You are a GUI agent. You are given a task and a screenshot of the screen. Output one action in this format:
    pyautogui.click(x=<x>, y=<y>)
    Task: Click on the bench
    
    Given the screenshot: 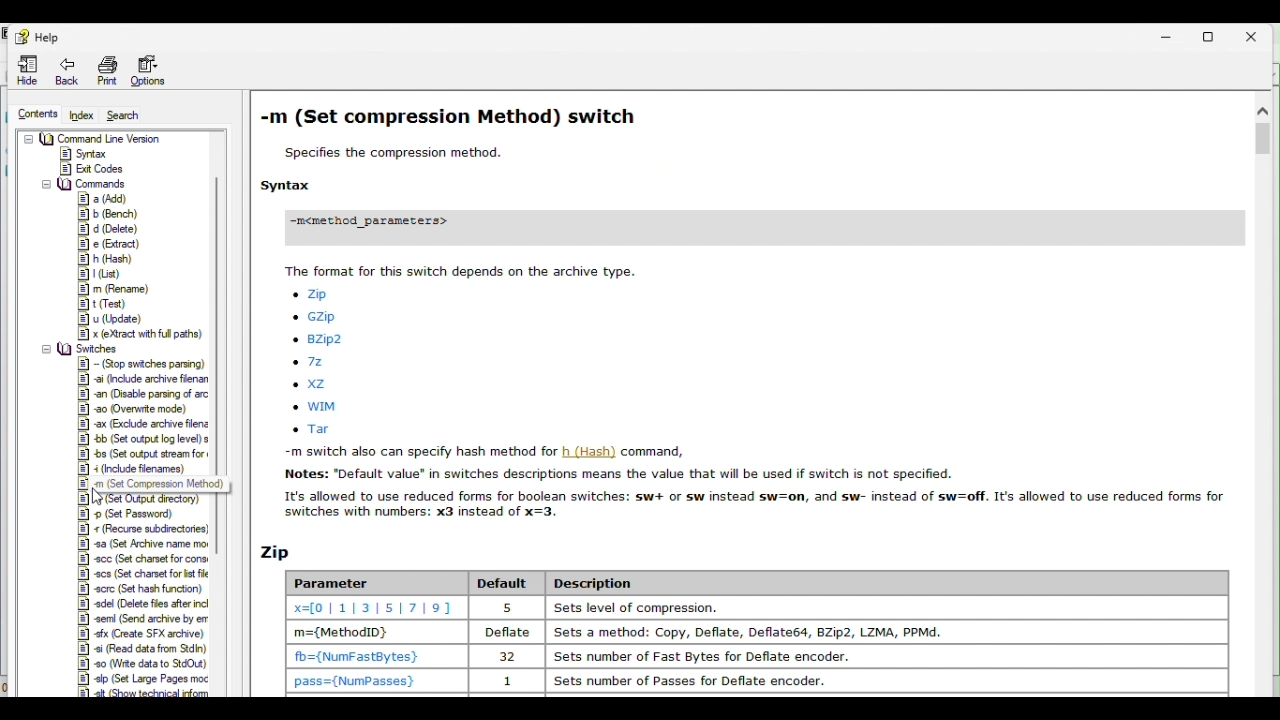 What is the action you would take?
    pyautogui.click(x=108, y=214)
    